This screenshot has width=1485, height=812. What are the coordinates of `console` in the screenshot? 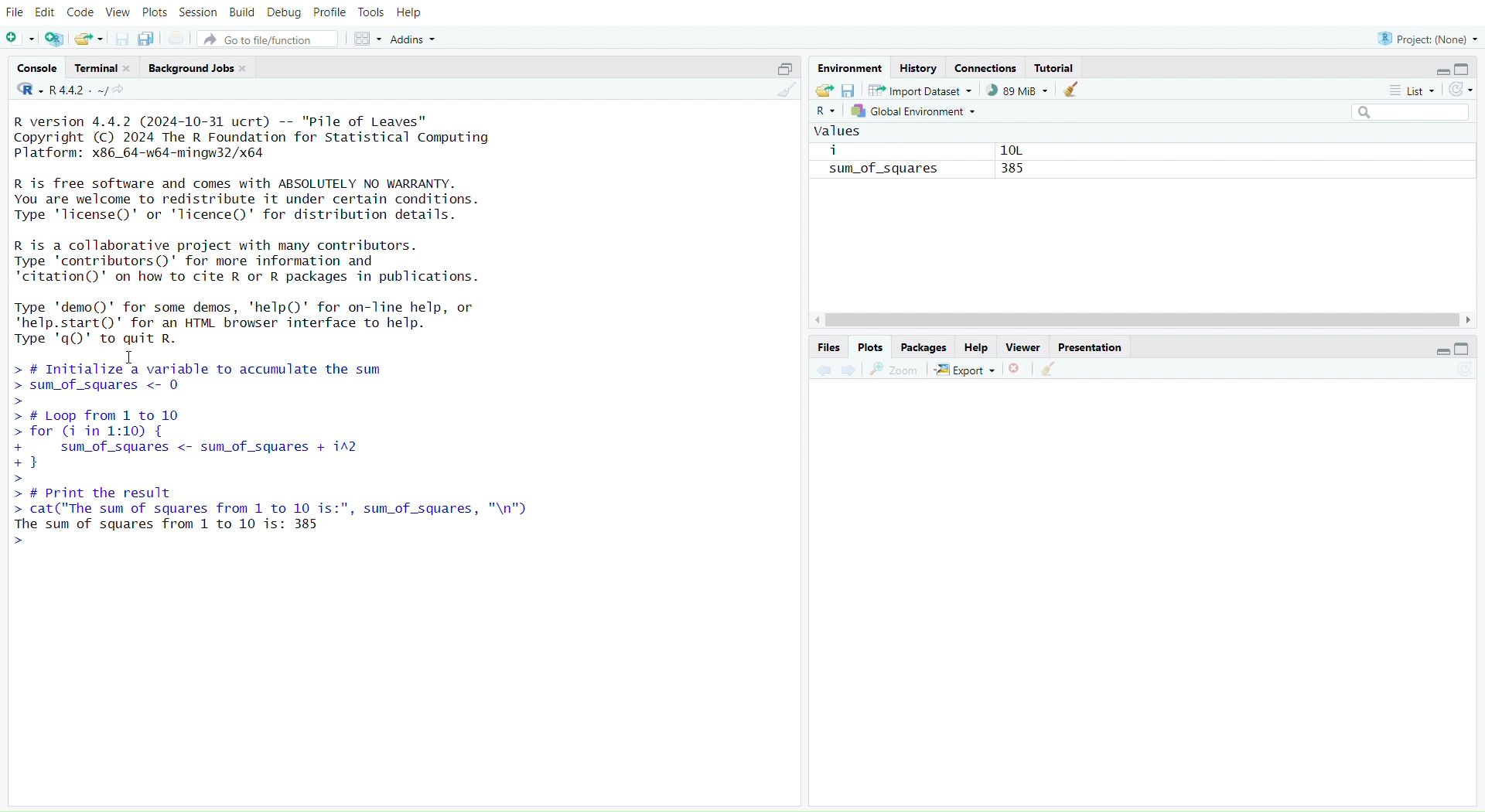 It's located at (36, 67).